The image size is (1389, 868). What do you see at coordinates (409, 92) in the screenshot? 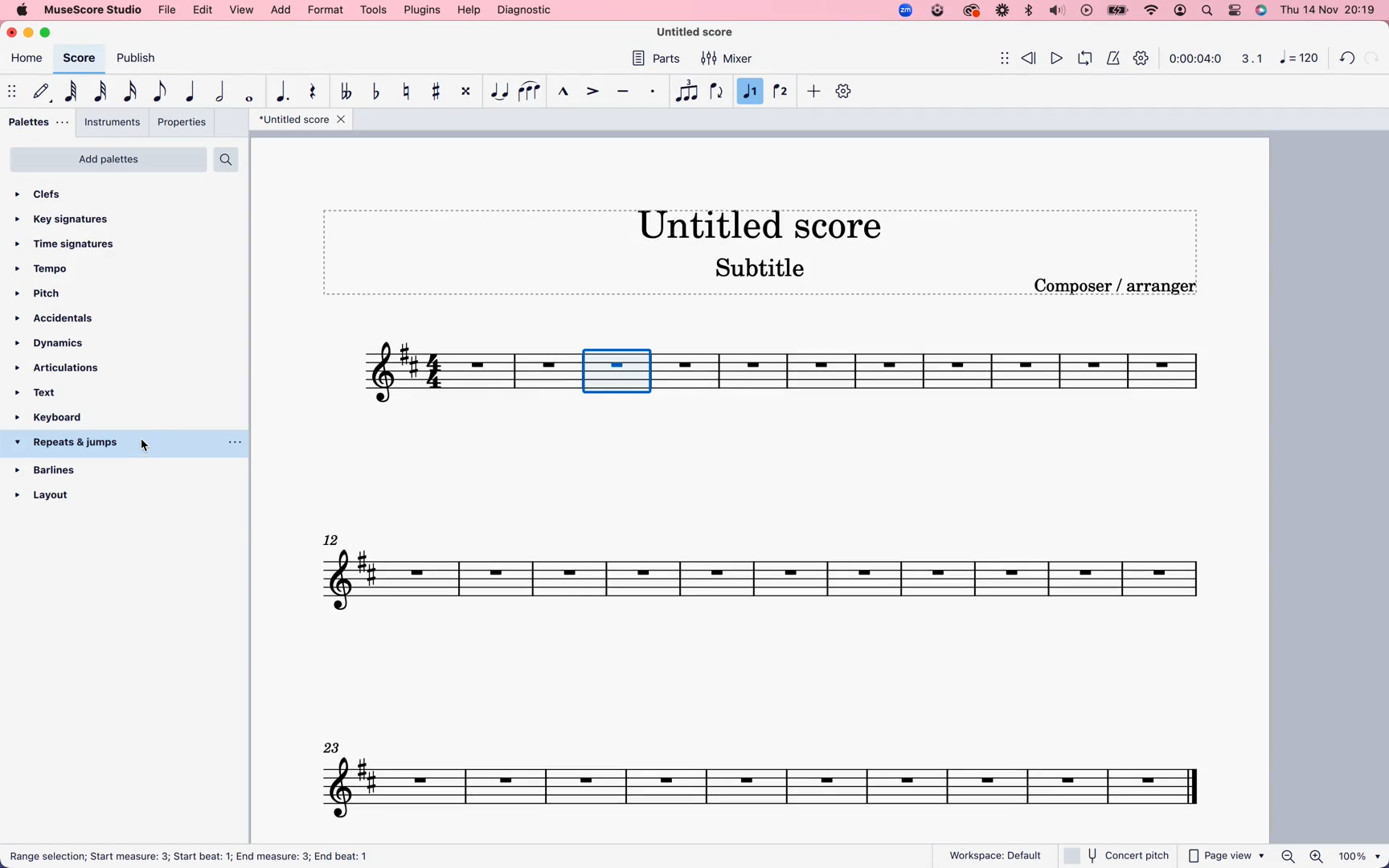
I see `toggle natural` at bounding box center [409, 92].